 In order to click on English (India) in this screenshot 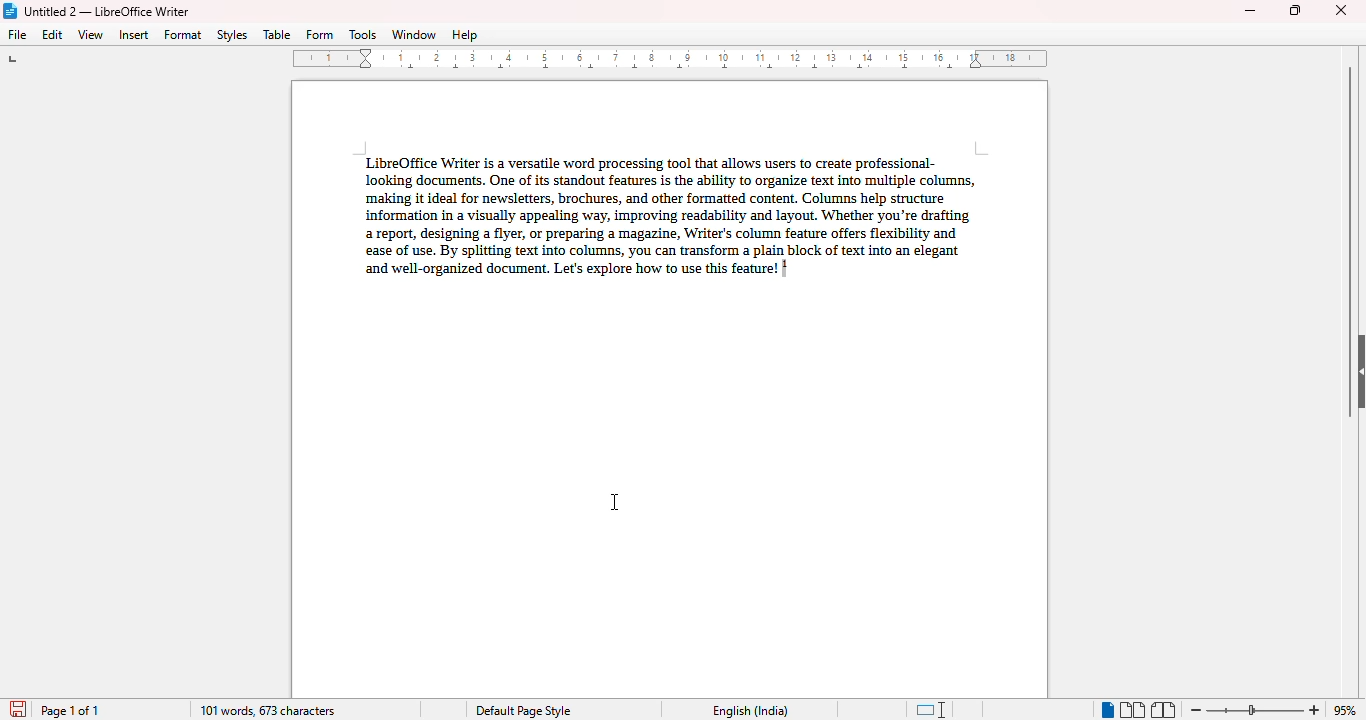, I will do `click(750, 711)`.